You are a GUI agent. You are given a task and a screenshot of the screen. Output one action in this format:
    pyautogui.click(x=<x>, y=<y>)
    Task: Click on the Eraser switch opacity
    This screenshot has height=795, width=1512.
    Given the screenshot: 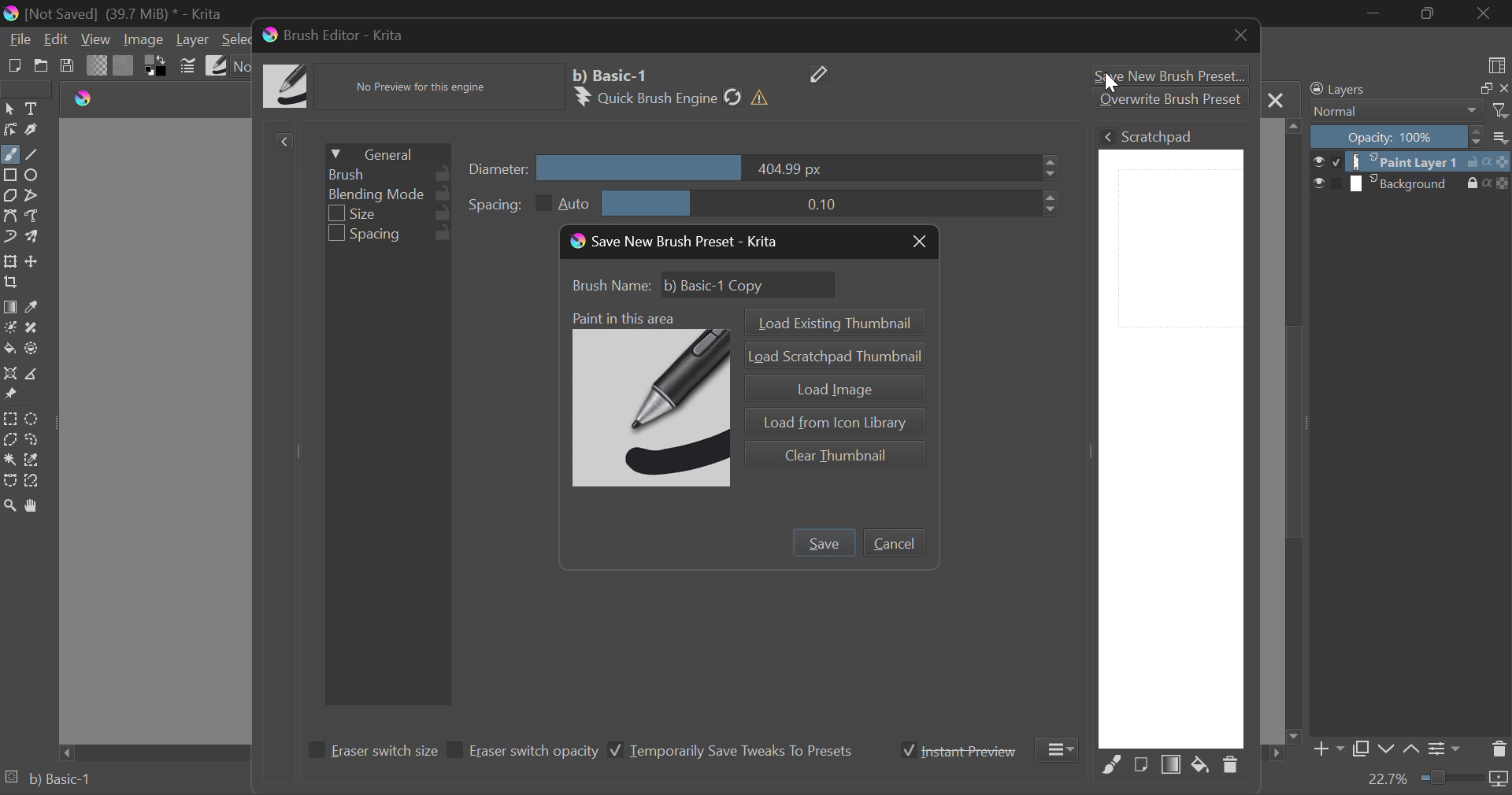 What is the action you would take?
    pyautogui.click(x=524, y=752)
    